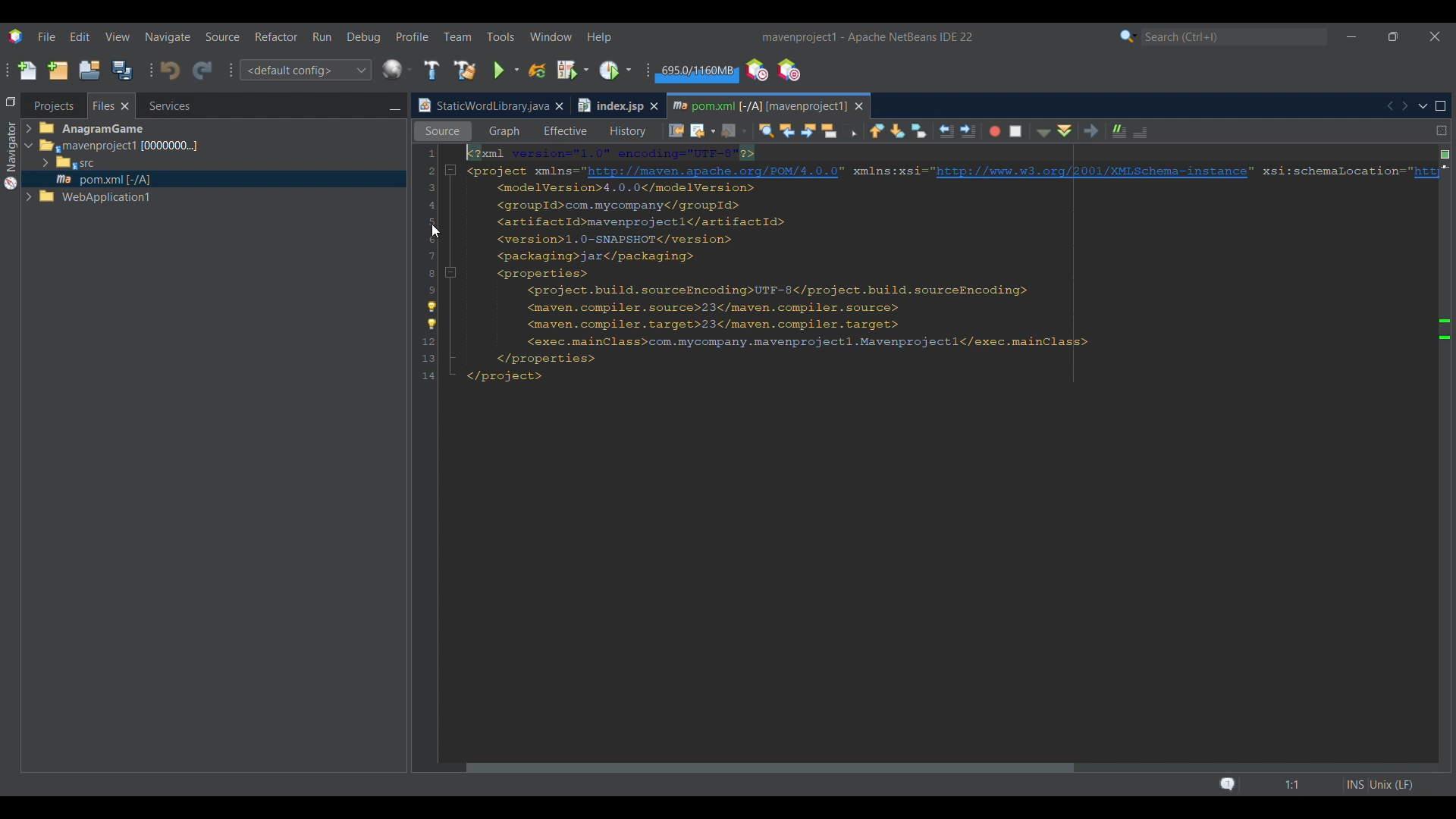 The height and width of the screenshot is (819, 1456). What do you see at coordinates (676, 130) in the screenshot?
I see `Last edit` at bounding box center [676, 130].